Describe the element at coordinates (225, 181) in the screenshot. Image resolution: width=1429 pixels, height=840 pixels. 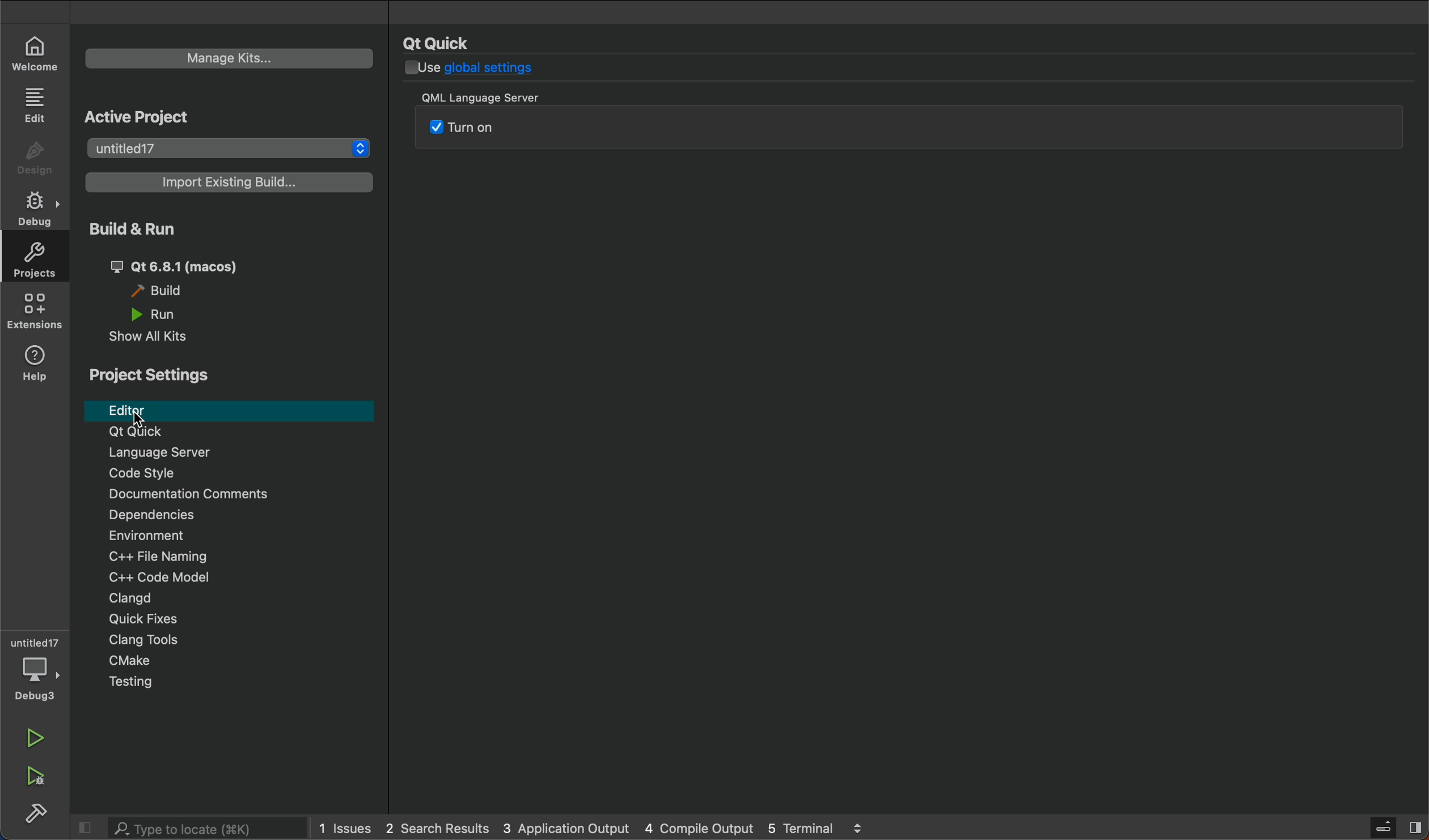
I see `existing builds` at that location.